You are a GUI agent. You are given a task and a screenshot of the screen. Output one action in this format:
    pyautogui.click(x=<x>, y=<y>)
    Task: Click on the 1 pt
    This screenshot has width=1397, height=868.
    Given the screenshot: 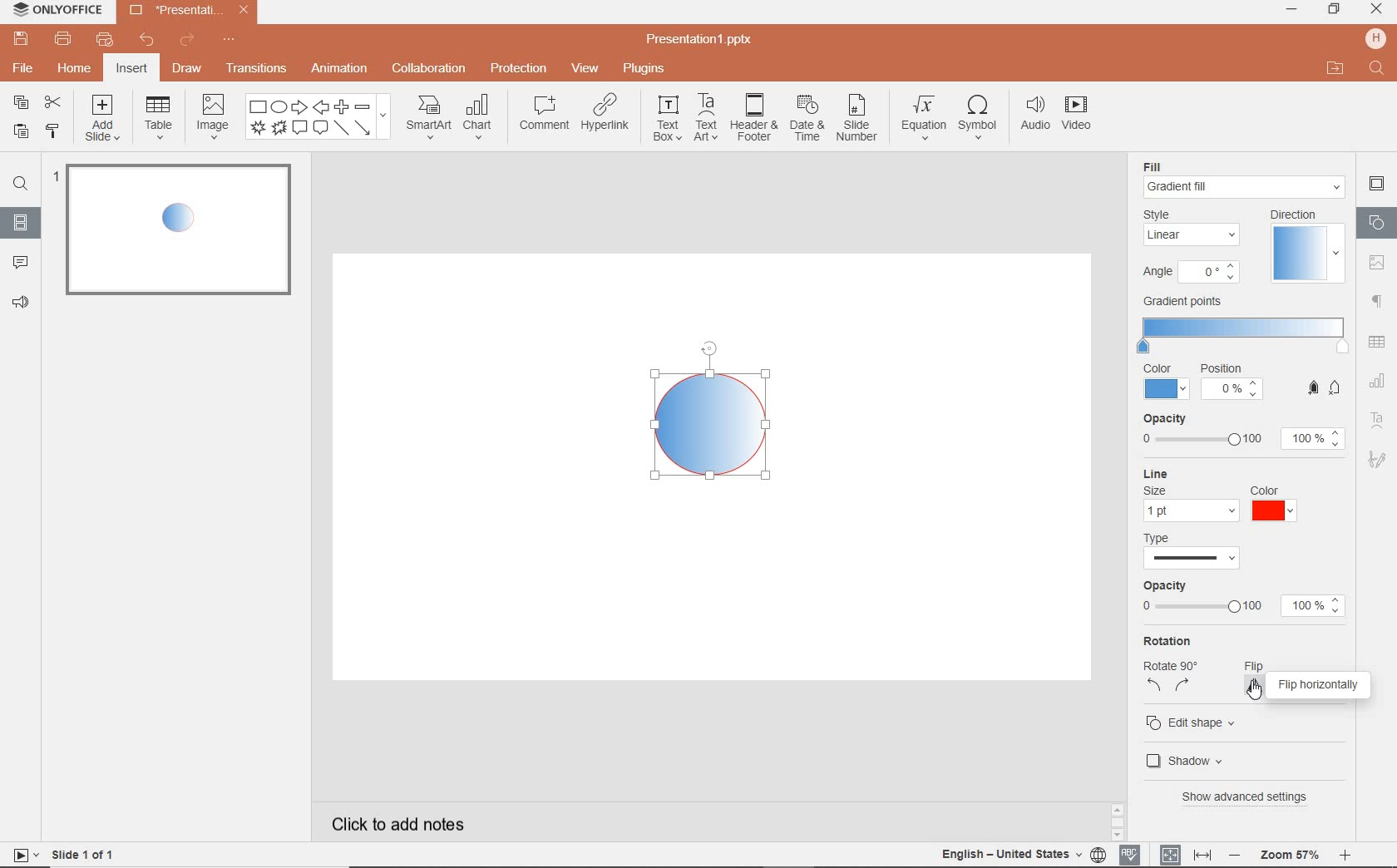 What is the action you would take?
    pyautogui.click(x=1189, y=511)
    